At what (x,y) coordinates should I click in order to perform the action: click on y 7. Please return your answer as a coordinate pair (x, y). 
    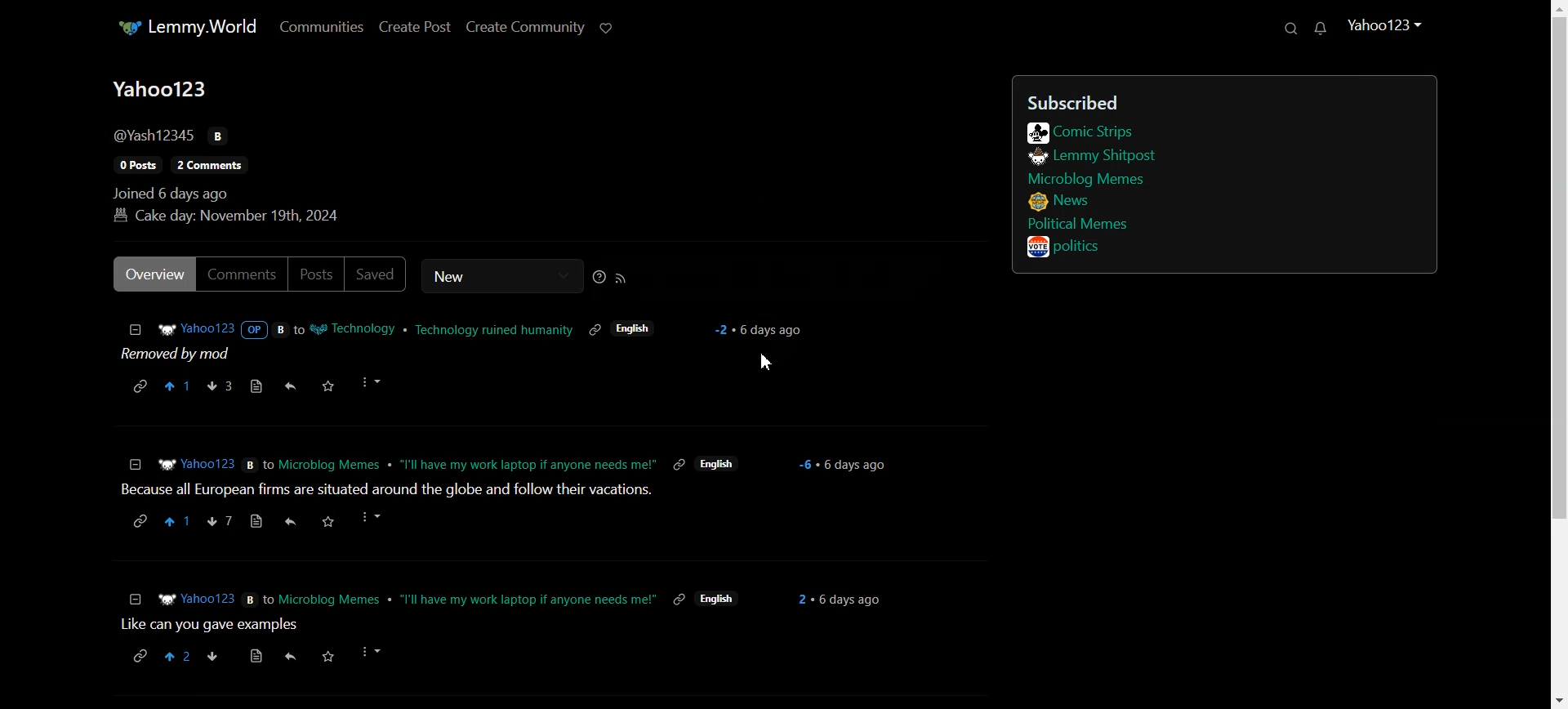
    Looking at the image, I should click on (221, 522).